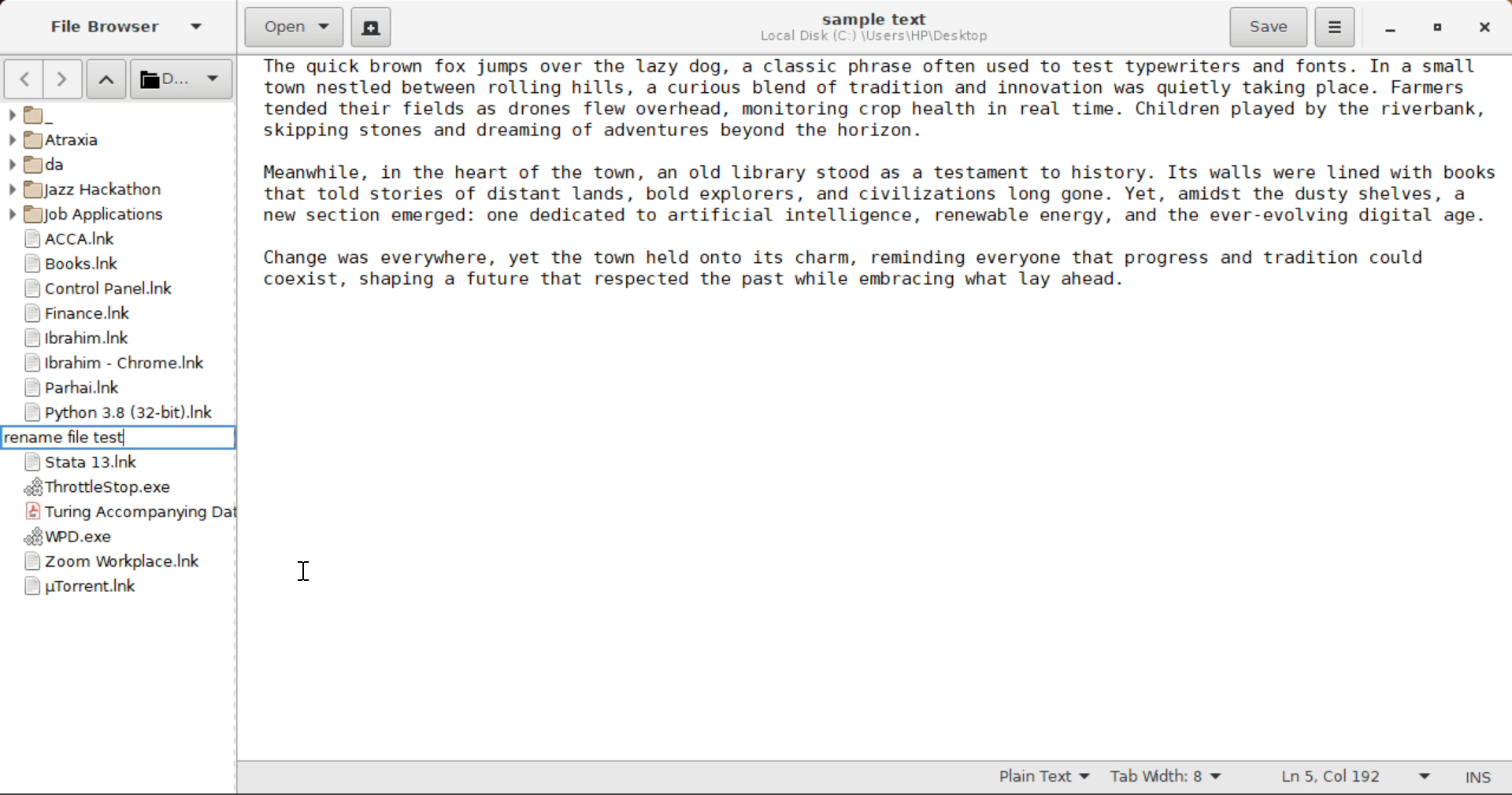  What do you see at coordinates (117, 464) in the screenshot?
I see `Stata 13 Application Shortcut` at bounding box center [117, 464].